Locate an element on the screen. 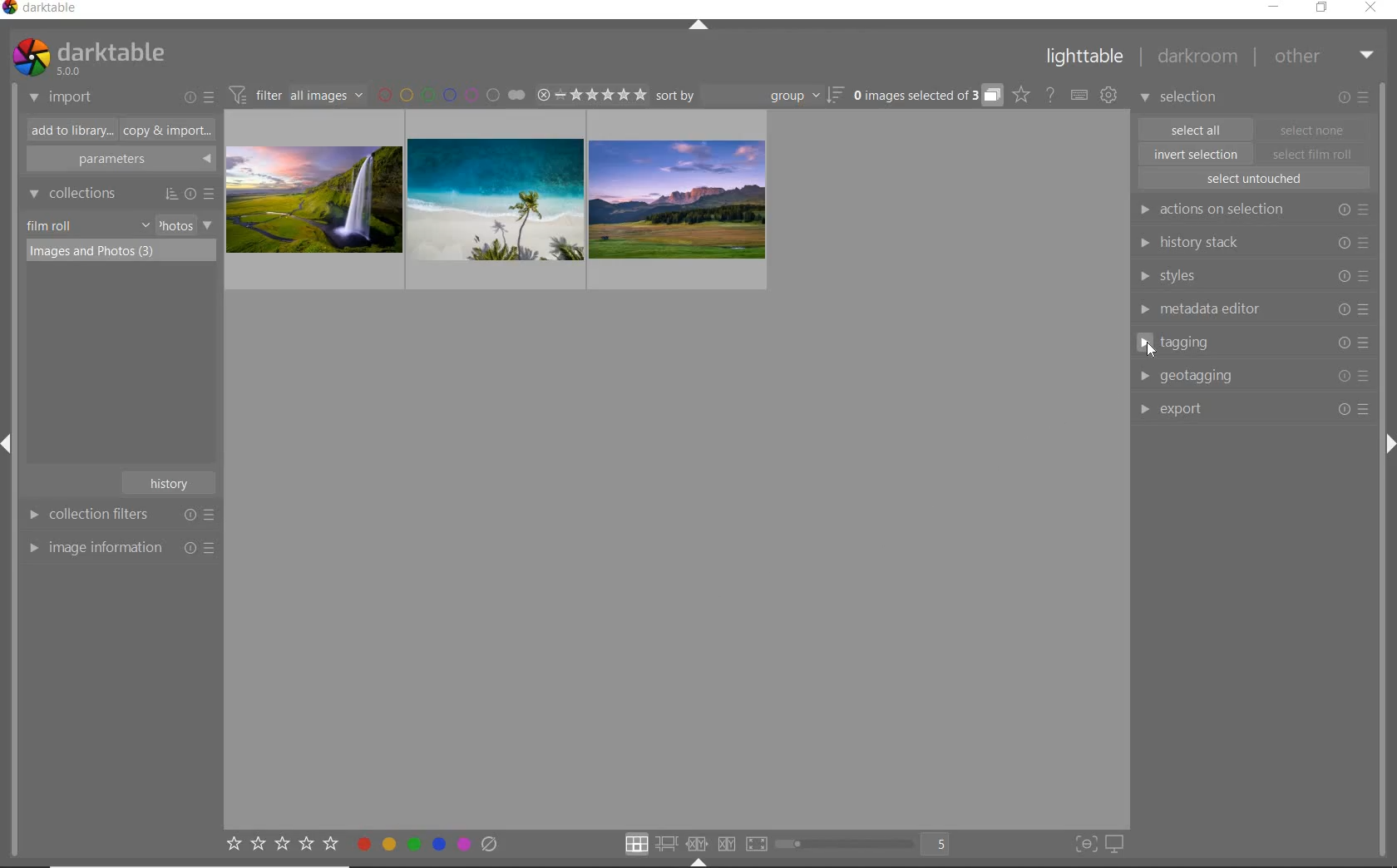 The image size is (1397, 868). add to library is located at coordinates (67, 131).